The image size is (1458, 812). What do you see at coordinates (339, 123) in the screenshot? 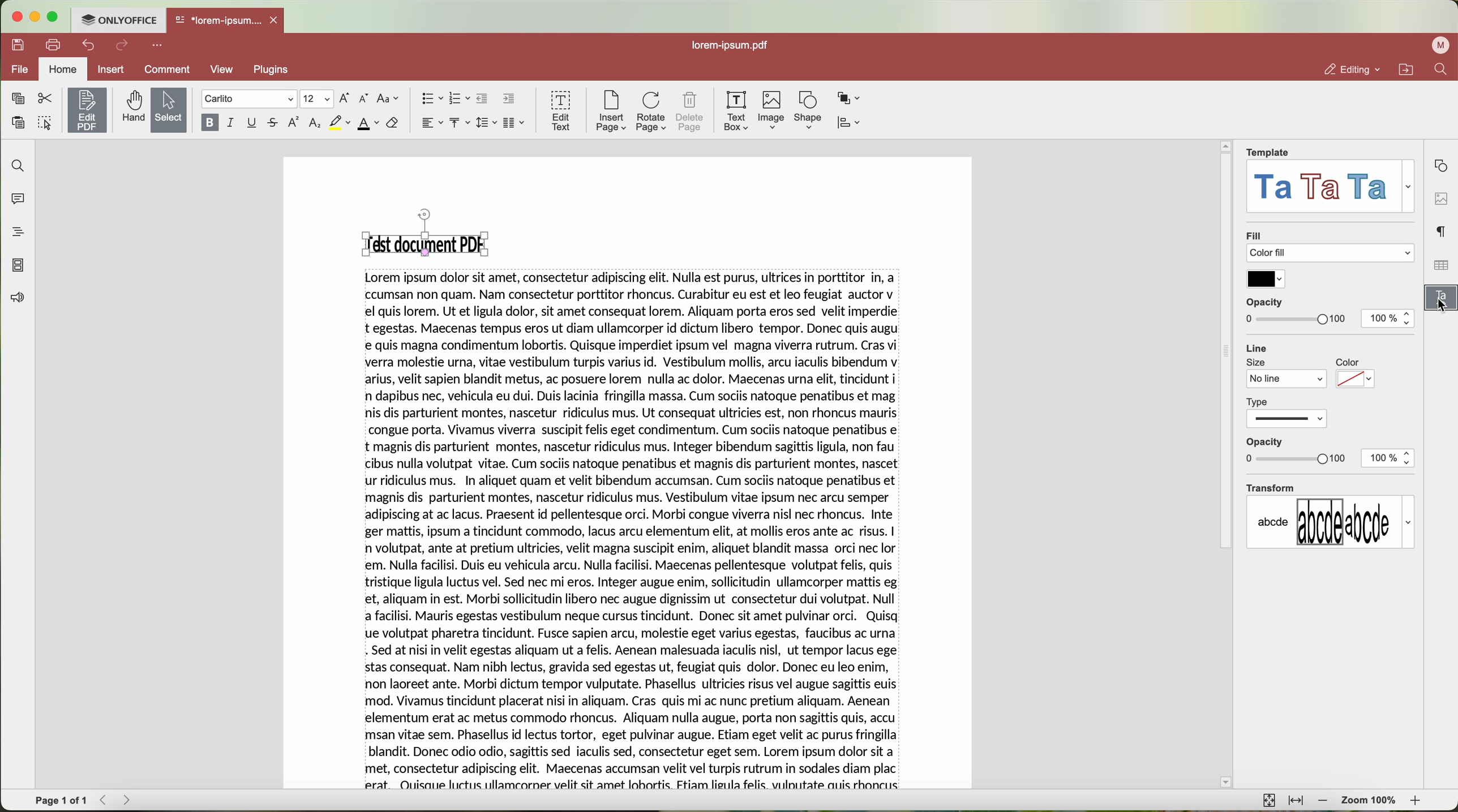
I see `highlight color` at bounding box center [339, 123].